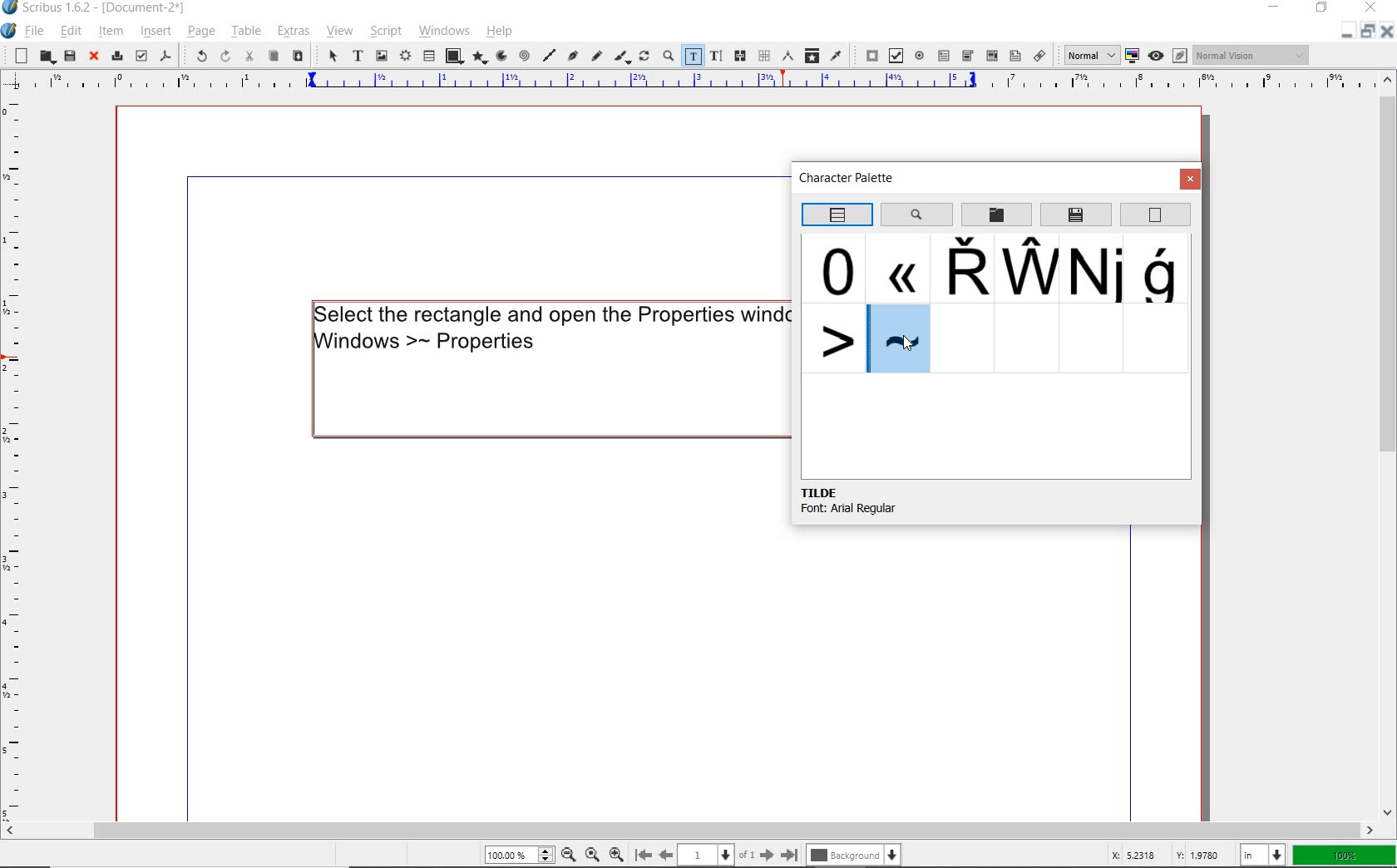 This screenshot has height=868, width=1397. Describe the element at coordinates (1276, 6) in the screenshot. I see `minimize` at that location.